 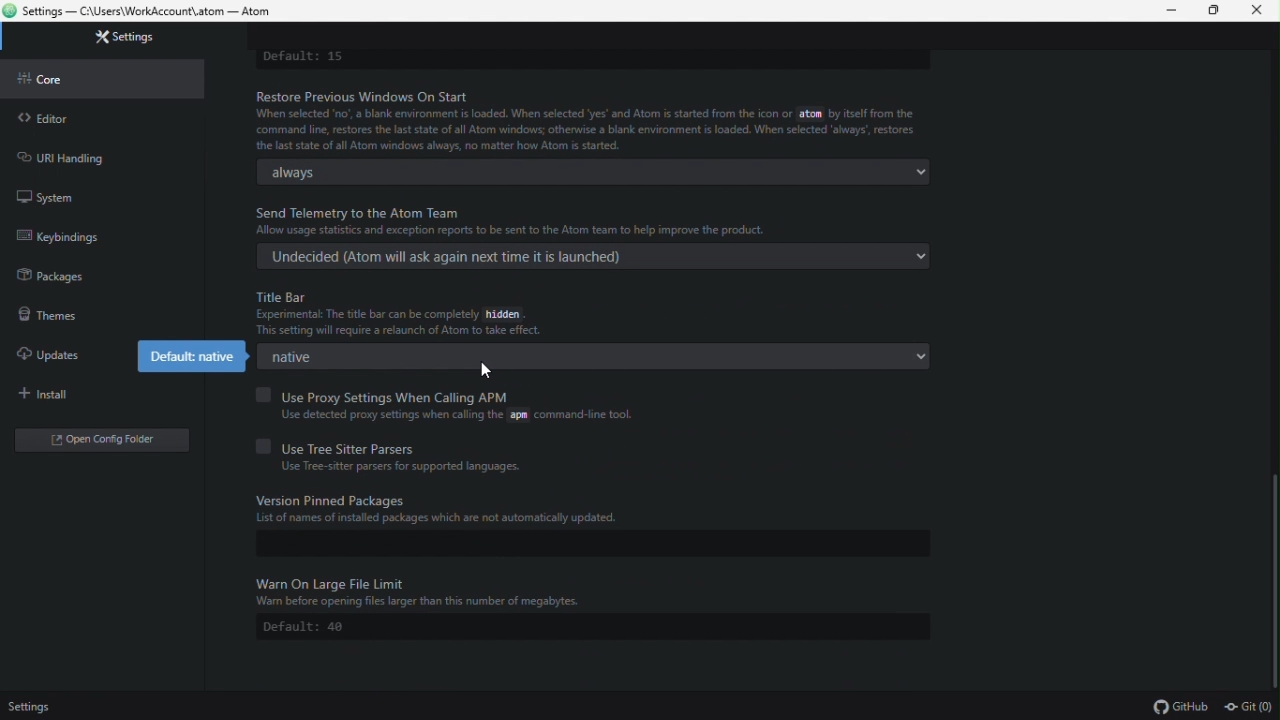 What do you see at coordinates (98, 237) in the screenshot?
I see `keybindings` at bounding box center [98, 237].